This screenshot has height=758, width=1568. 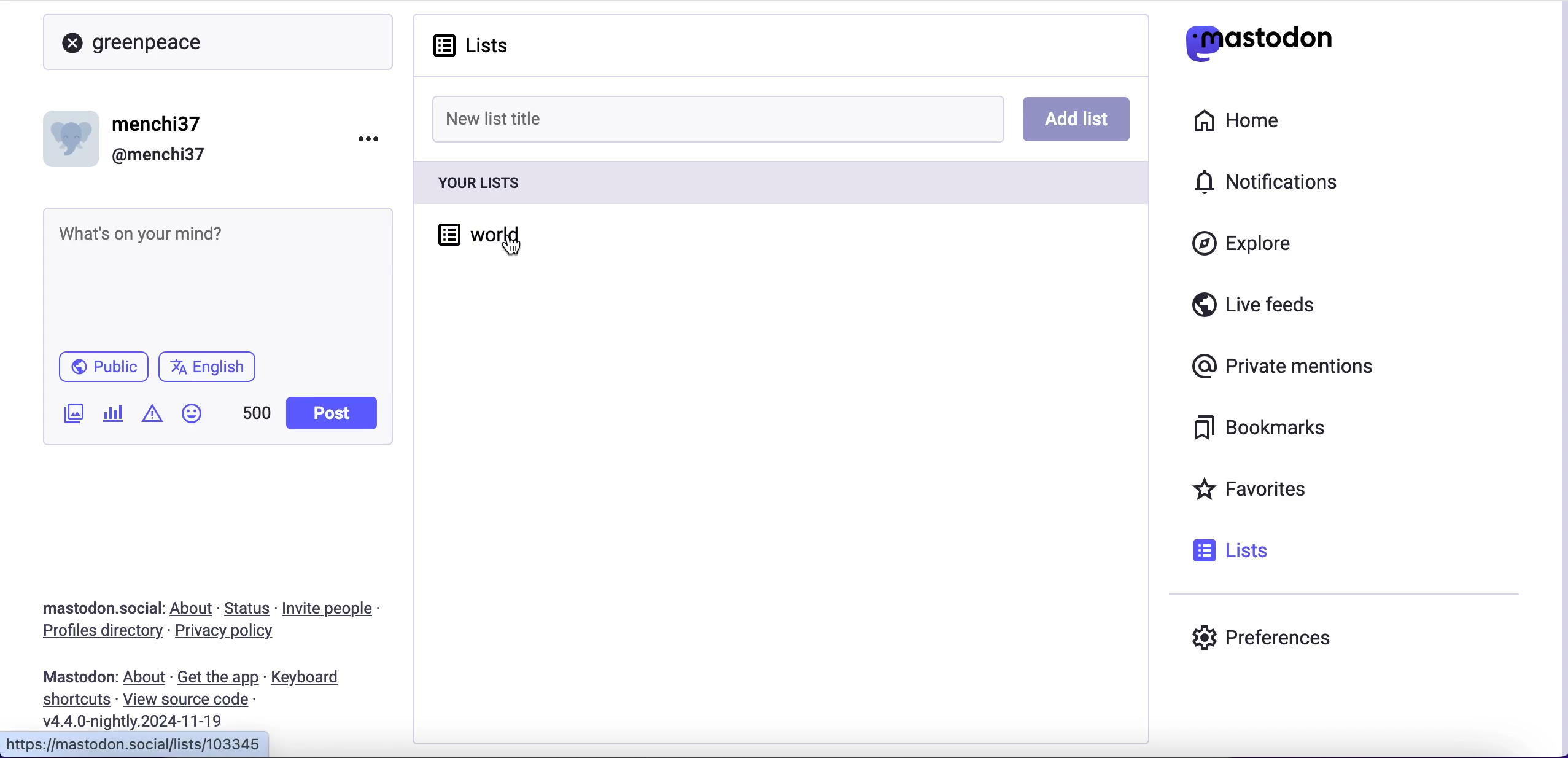 What do you see at coordinates (1254, 309) in the screenshot?
I see `live feeds` at bounding box center [1254, 309].